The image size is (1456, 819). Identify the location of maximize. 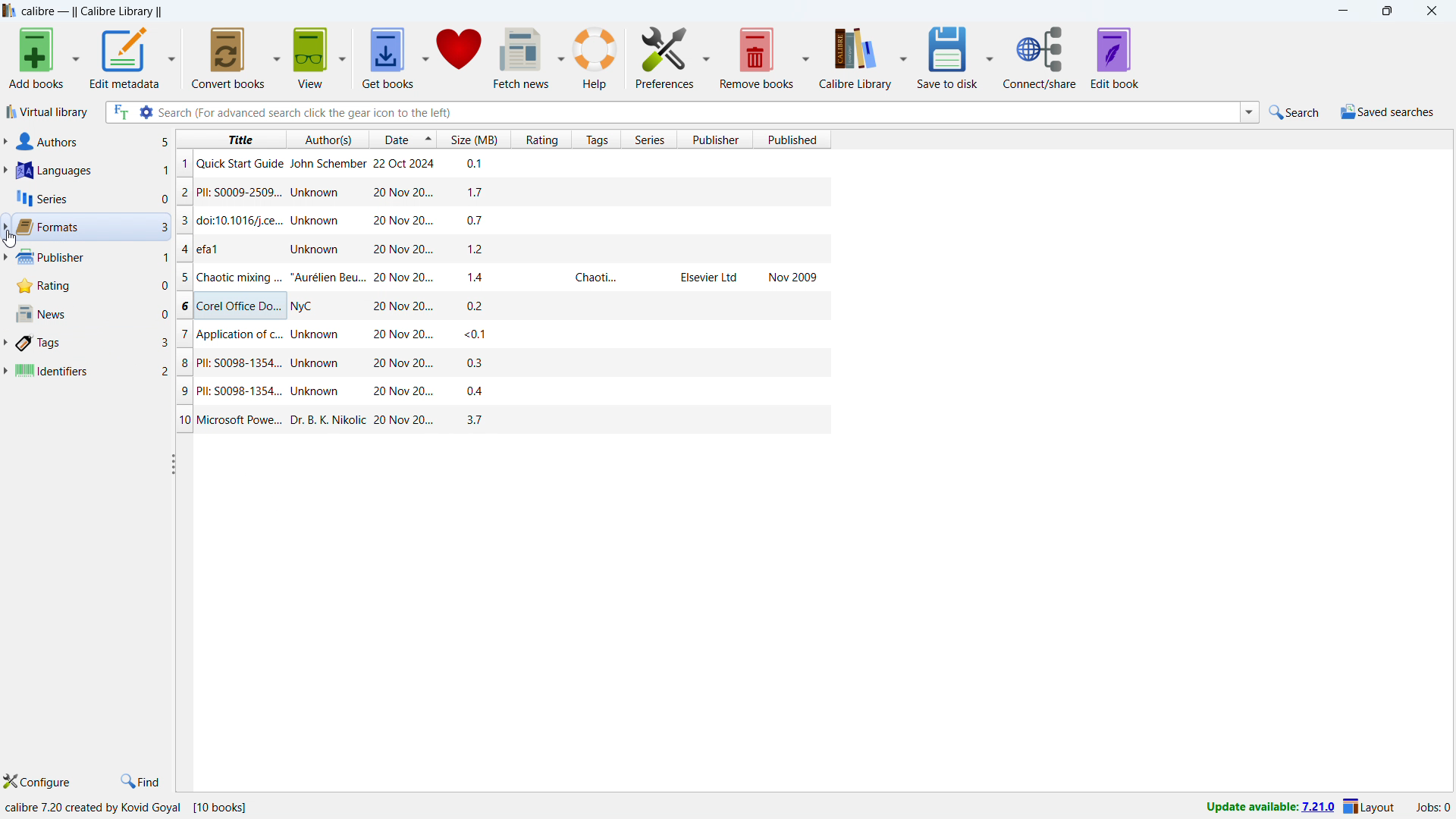
(1386, 10).